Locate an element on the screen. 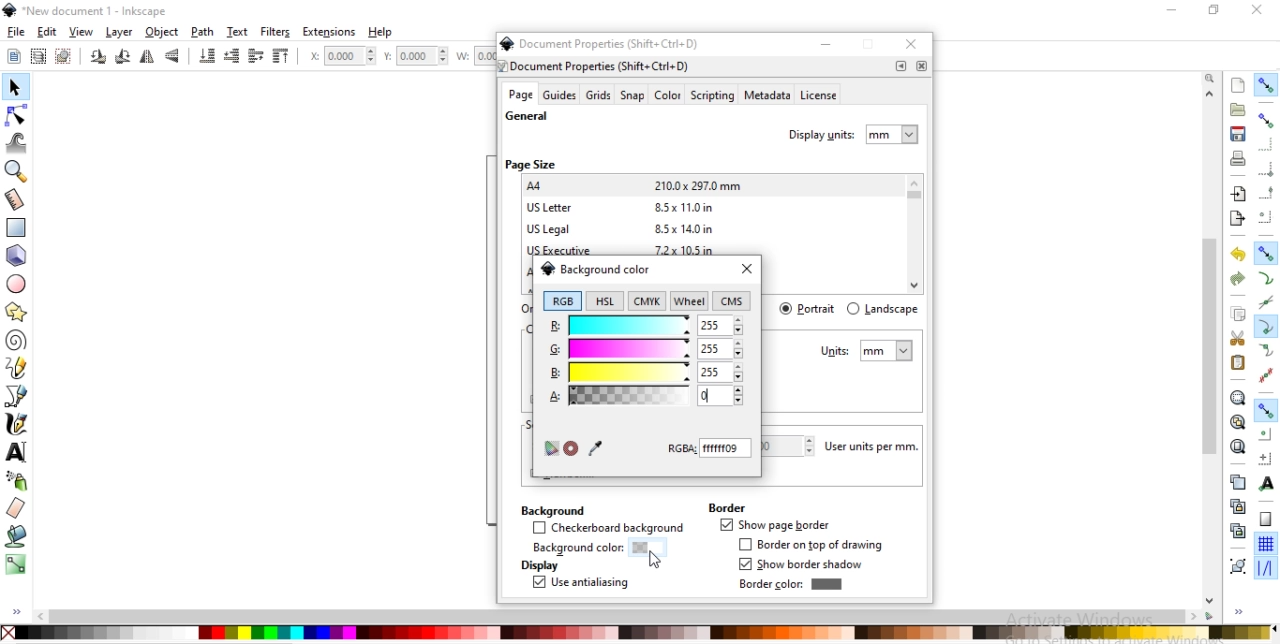 Image resolution: width=1280 pixels, height=644 pixels. select all objects or nodes is located at coordinates (13, 54).